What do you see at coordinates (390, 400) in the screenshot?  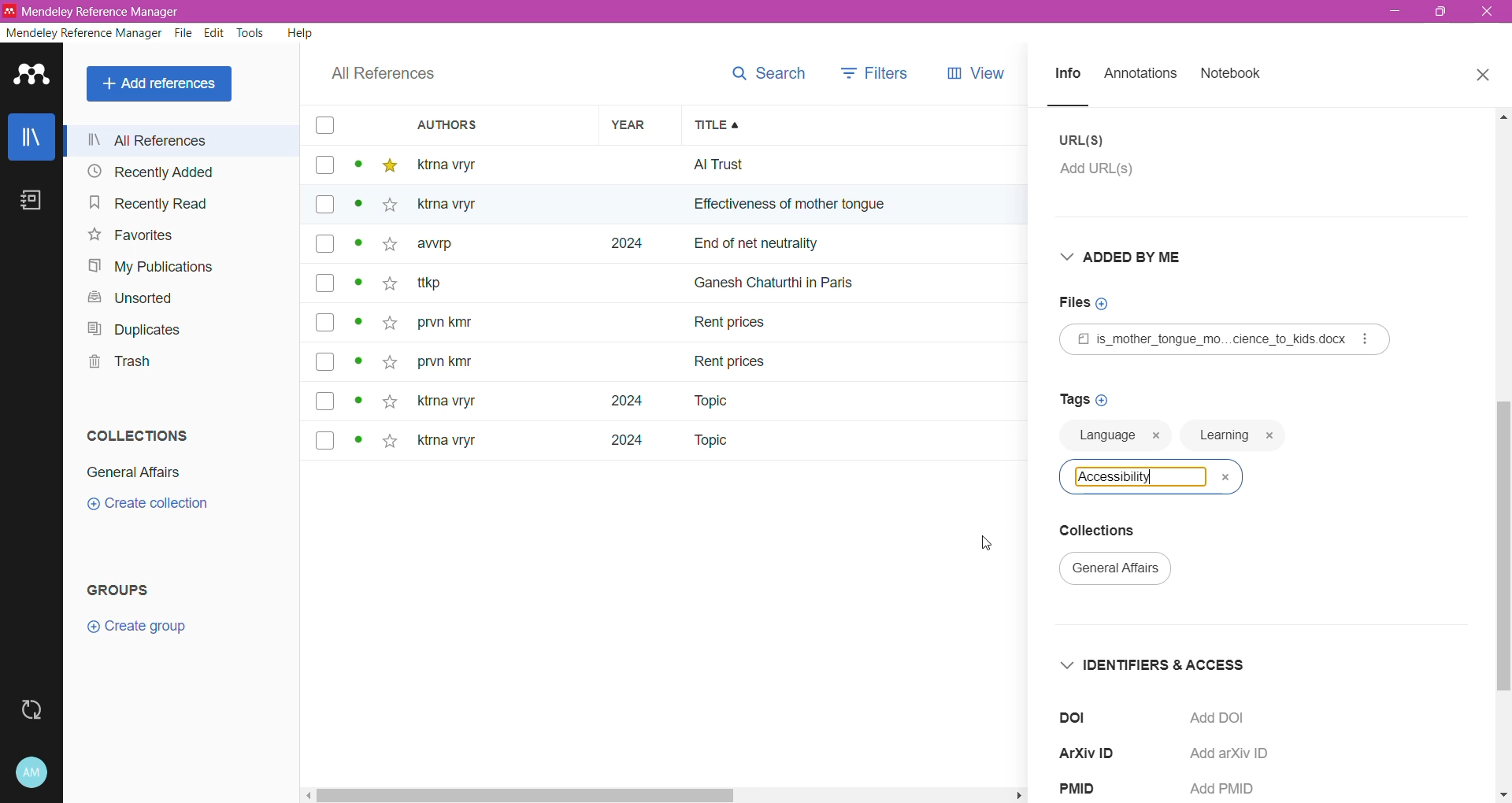 I see `star` at bounding box center [390, 400].